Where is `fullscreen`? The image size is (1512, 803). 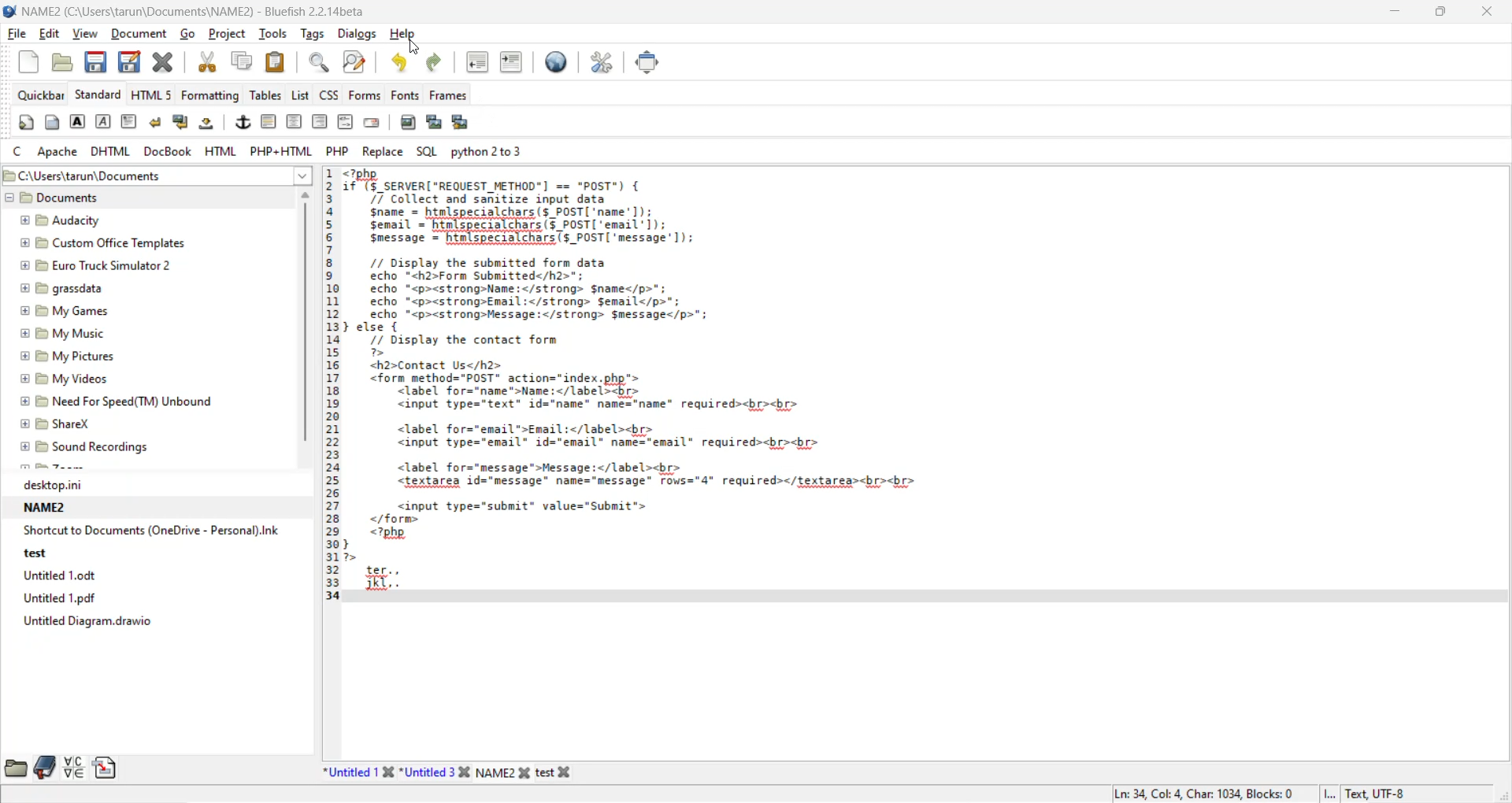
fullscreen is located at coordinates (650, 65).